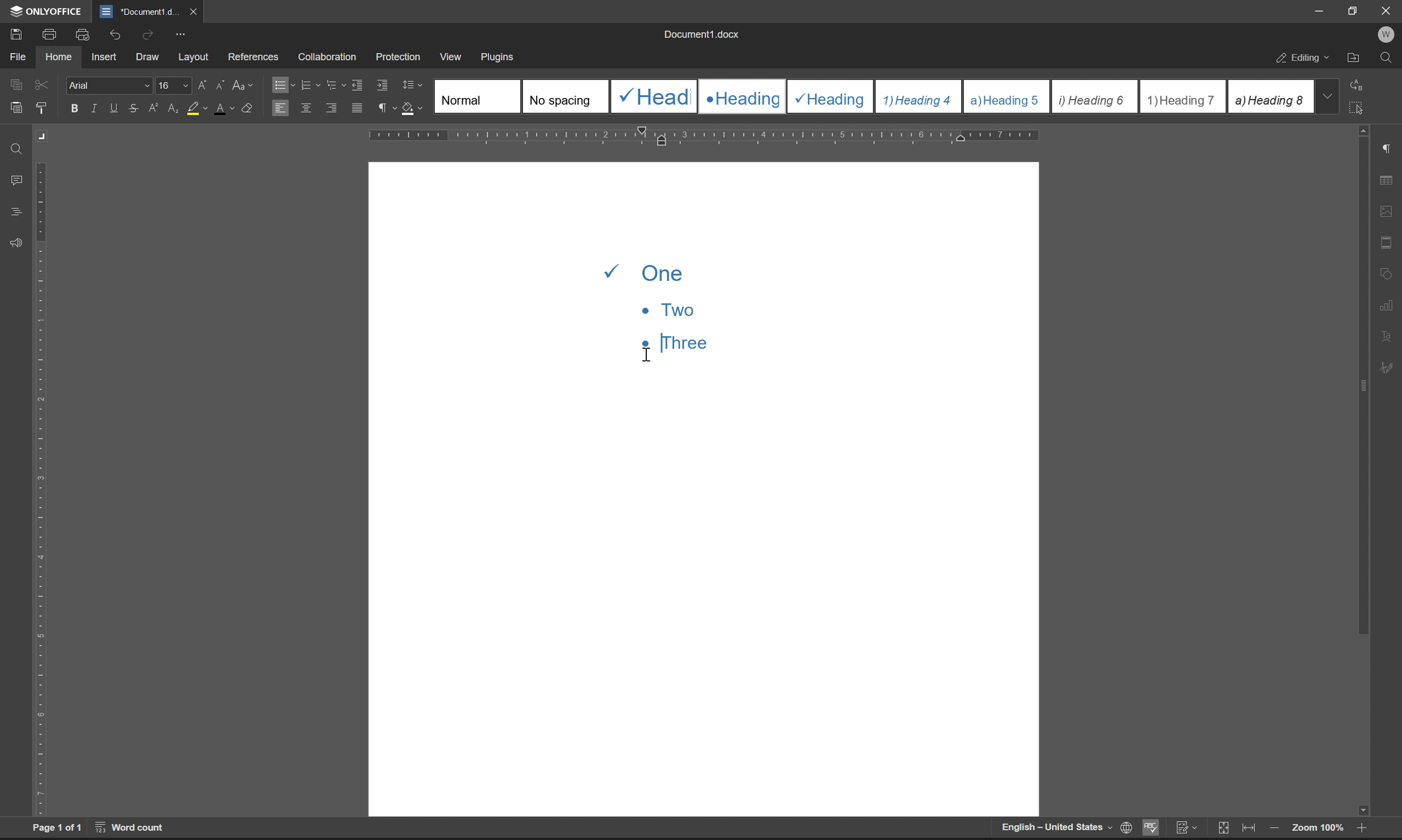  I want to click on Arial, so click(108, 84).